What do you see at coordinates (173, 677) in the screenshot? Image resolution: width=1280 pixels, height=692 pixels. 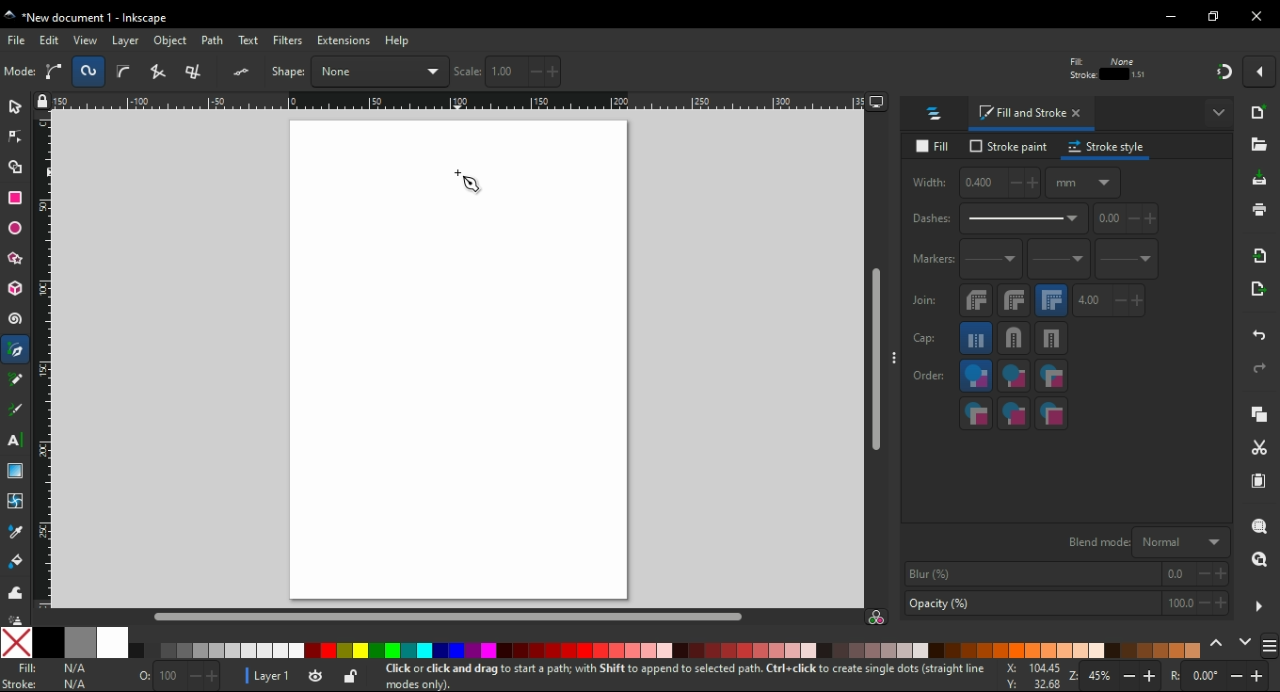 I see `Size` at bounding box center [173, 677].